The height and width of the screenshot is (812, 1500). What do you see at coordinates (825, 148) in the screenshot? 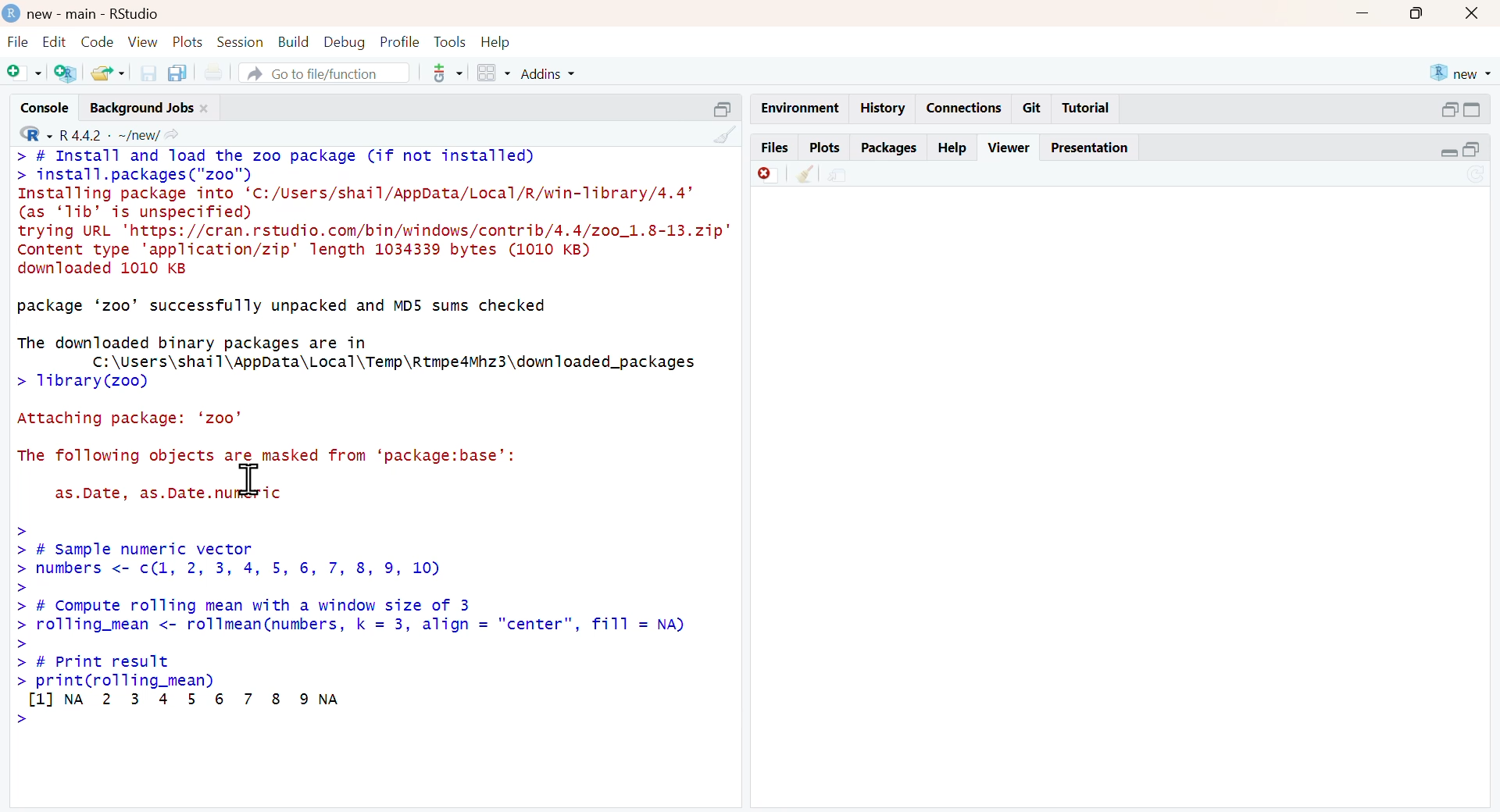
I see `plots` at bounding box center [825, 148].